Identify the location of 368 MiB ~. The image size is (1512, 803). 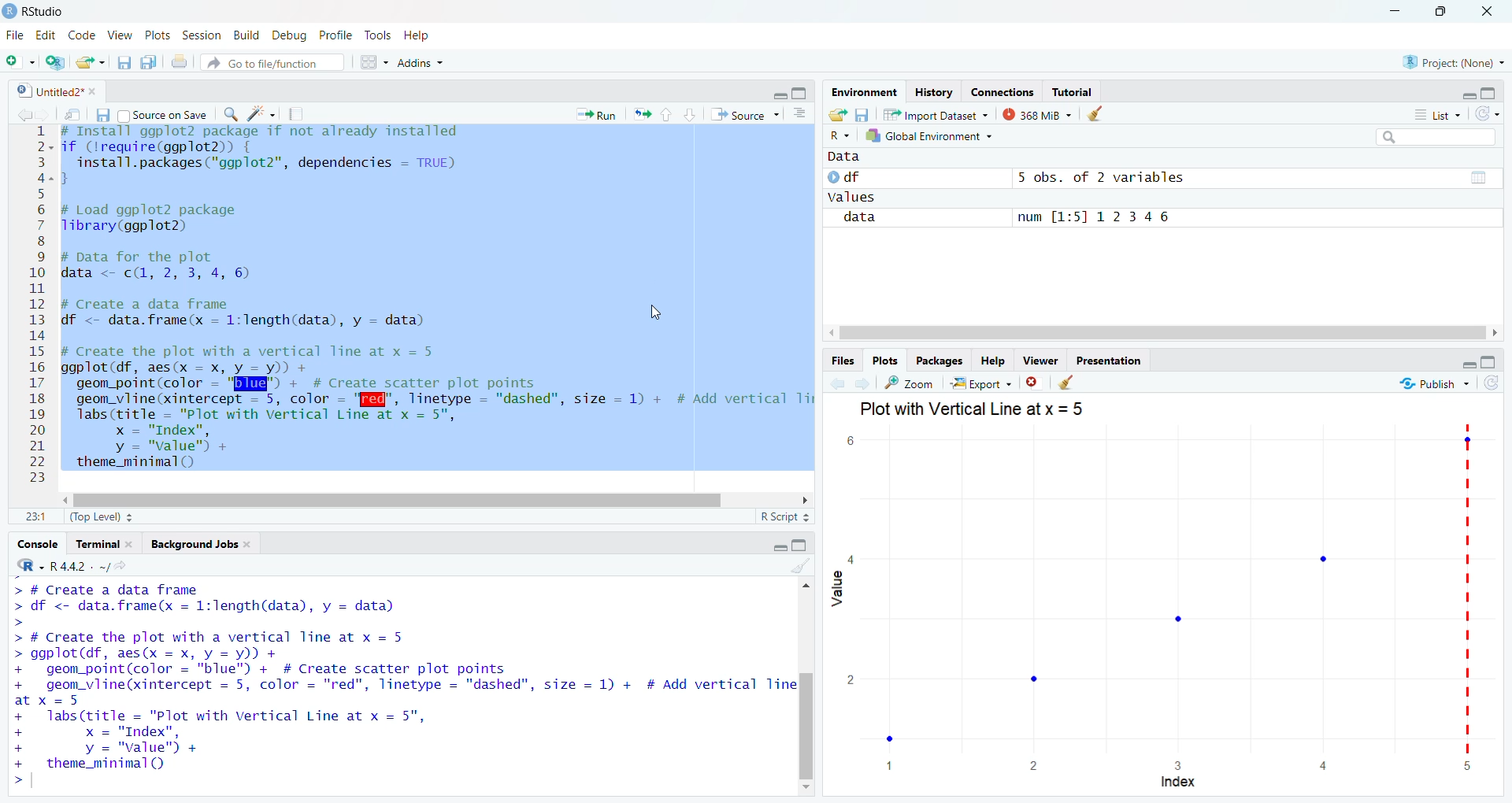
(1037, 114).